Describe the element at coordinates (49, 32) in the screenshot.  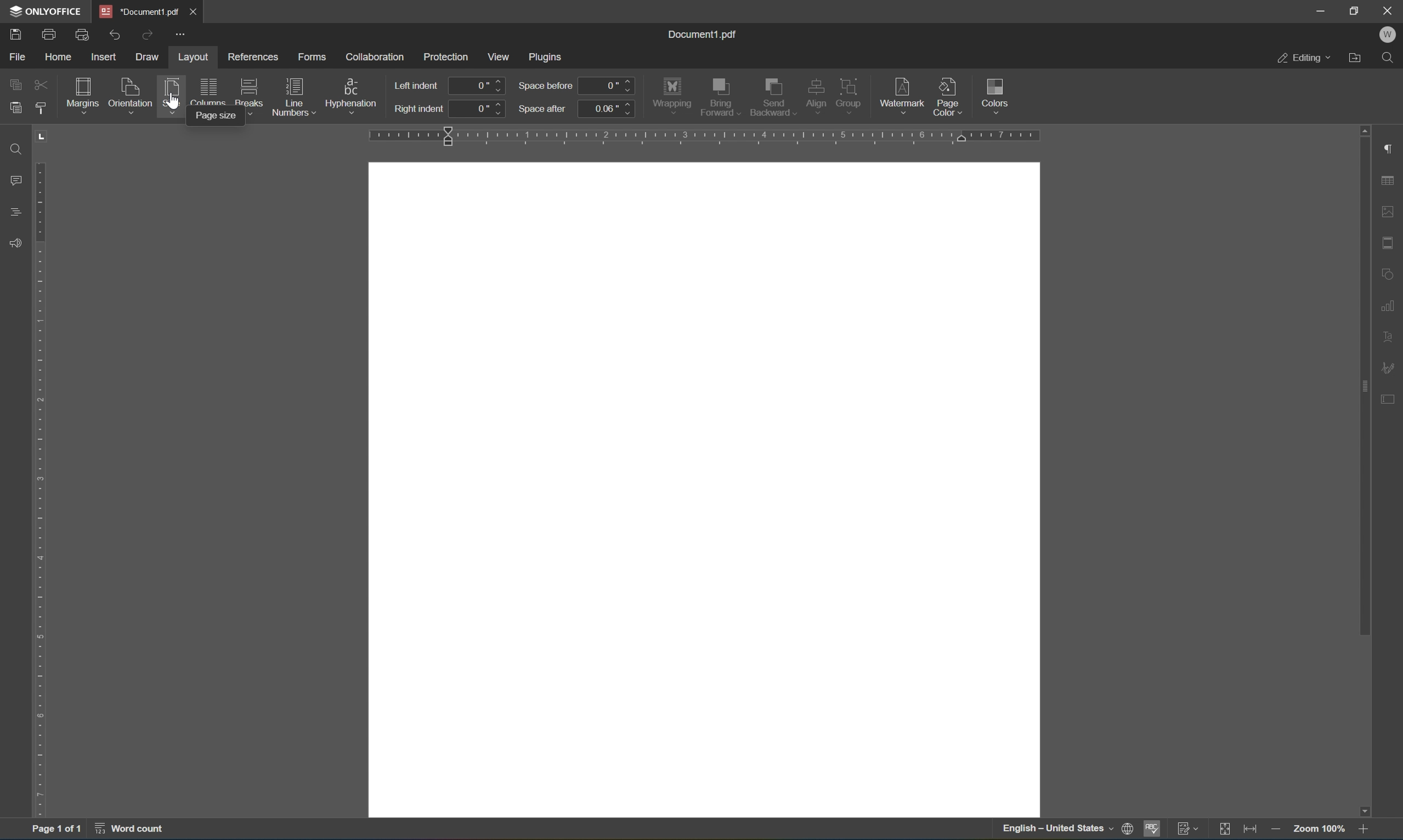
I see `print` at that location.